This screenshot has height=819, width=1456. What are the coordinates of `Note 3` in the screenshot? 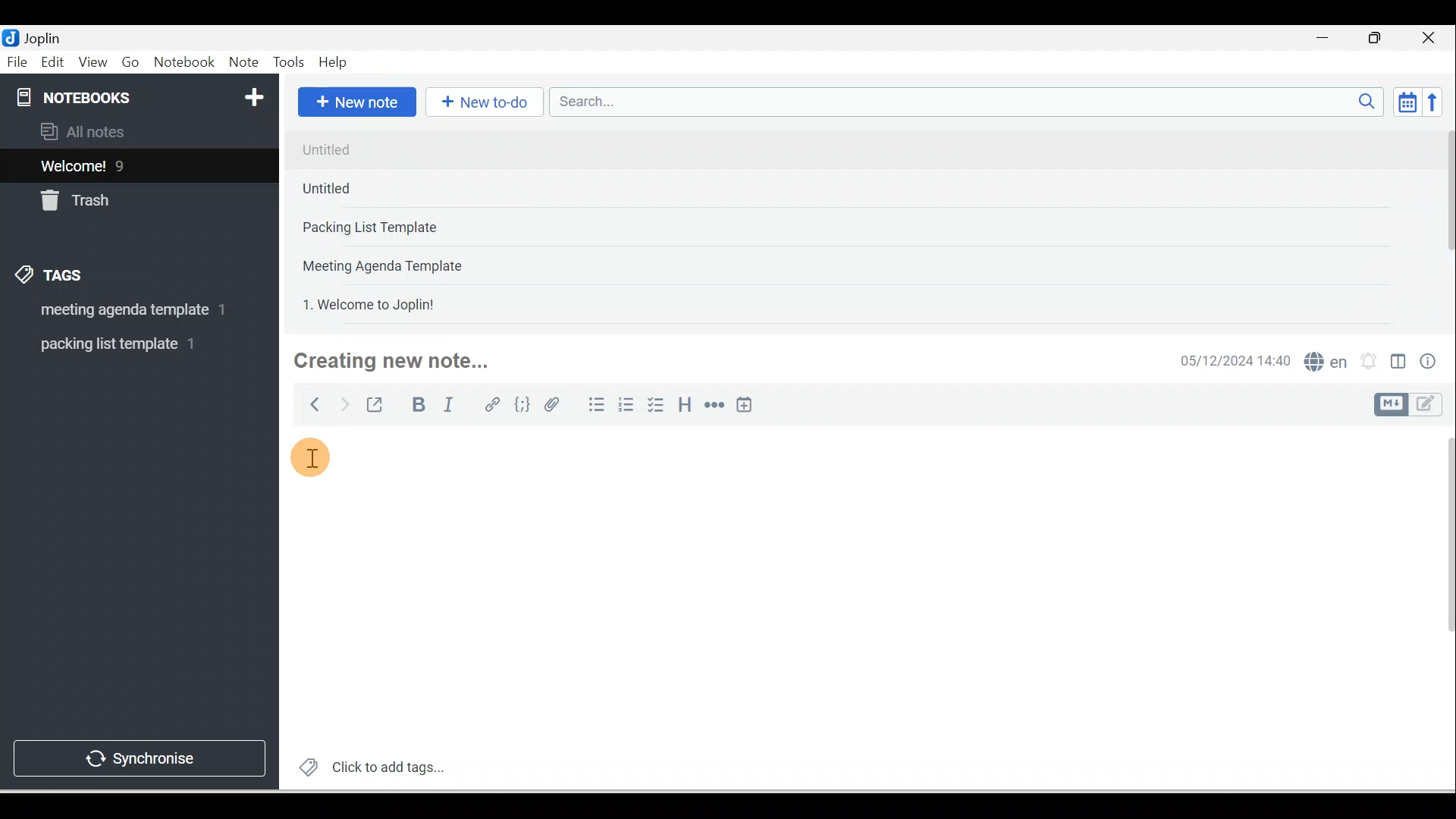 It's located at (418, 228).